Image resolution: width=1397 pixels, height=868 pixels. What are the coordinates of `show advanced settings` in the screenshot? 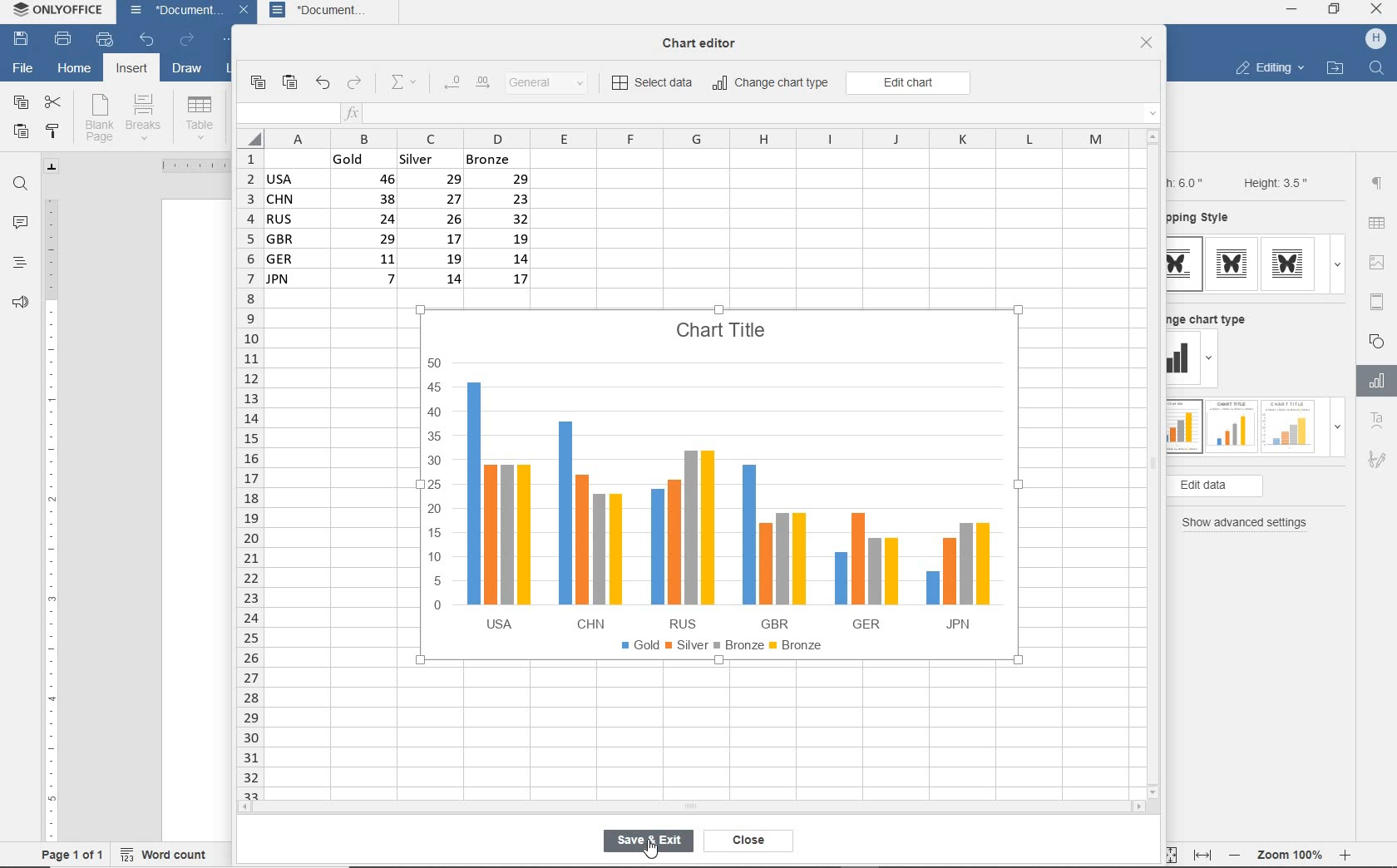 It's located at (1249, 523).